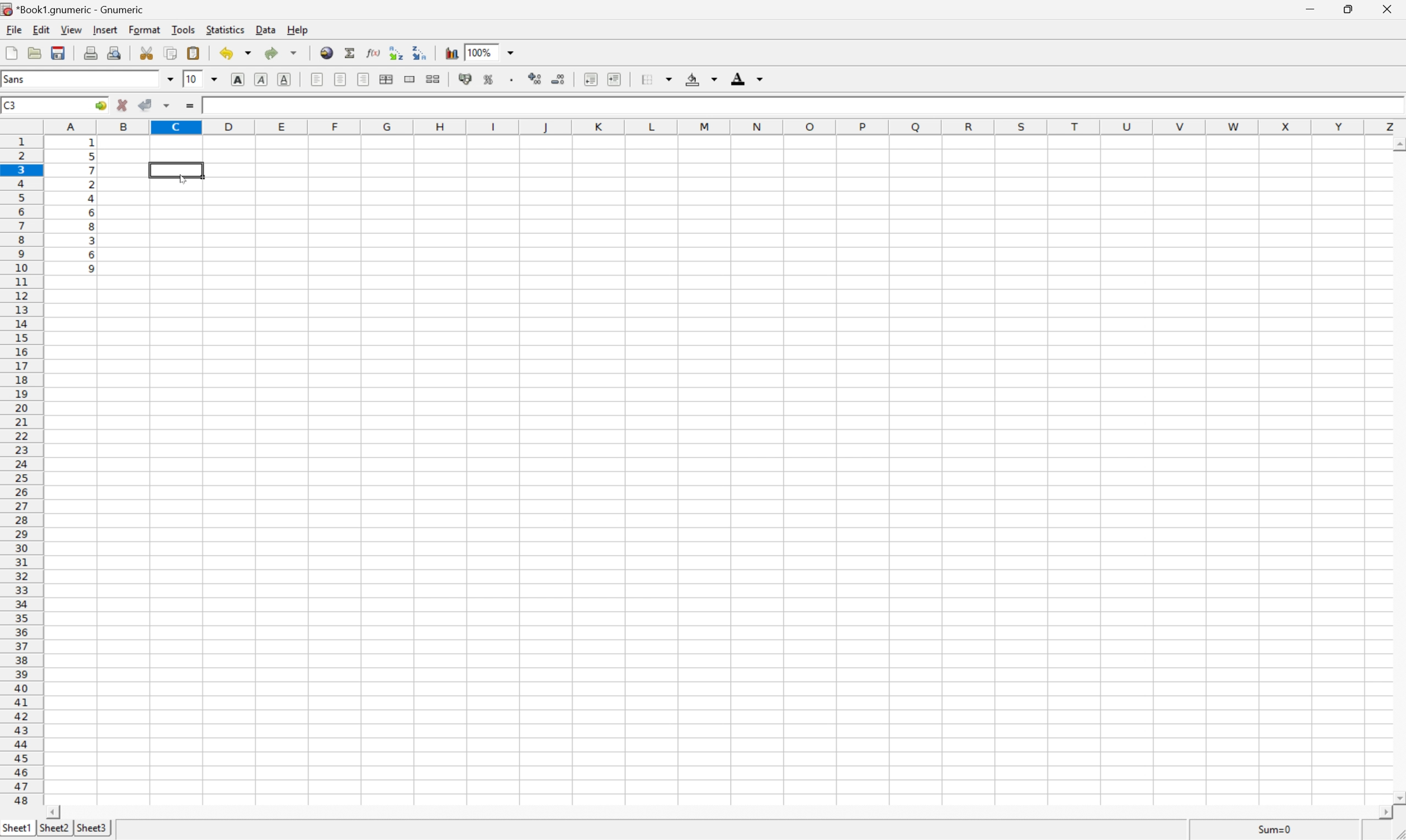  Describe the element at coordinates (396, 53) in the screenshot. I see `Sort the selected region in ascending order based on the first column selected` at that location.